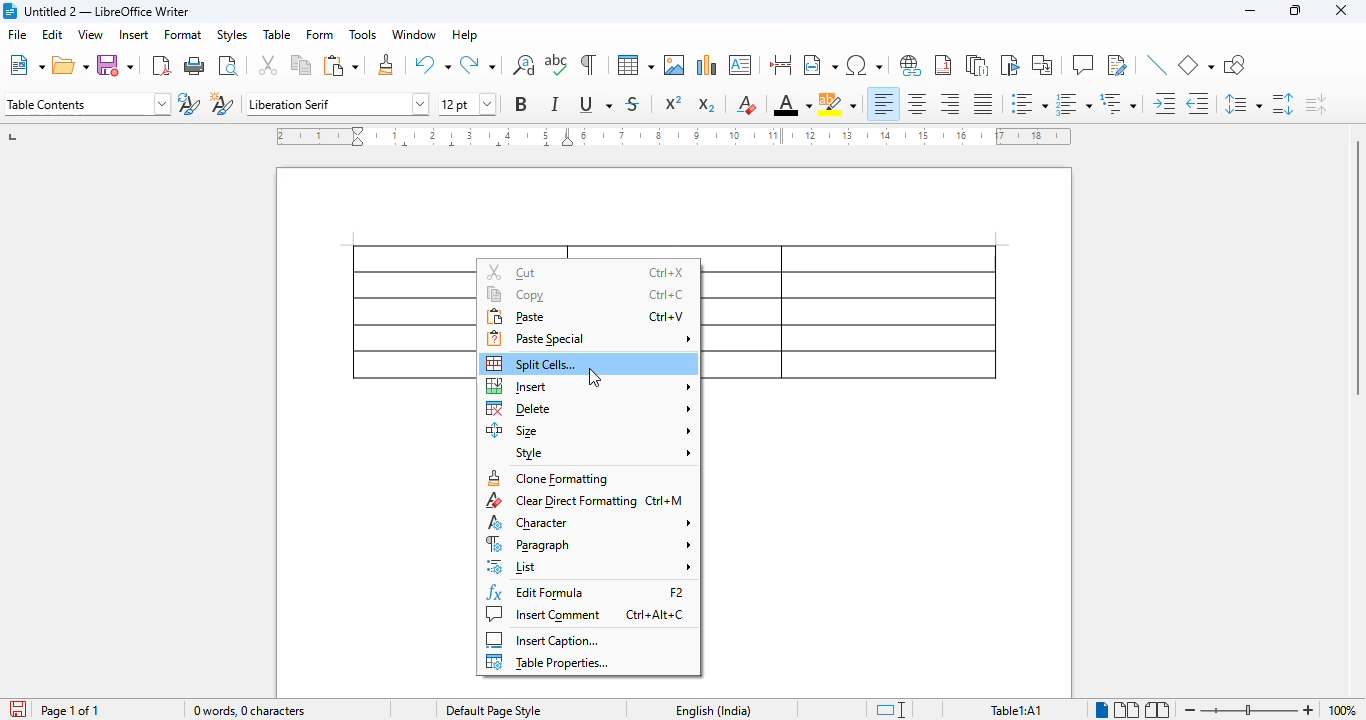 Image resolution: width=1366 pixels, height=720 pixels. What do you see at coordinates (910, 64) in the screenshot?
I see `insert hyperlink` at bounding box center [910, 64].